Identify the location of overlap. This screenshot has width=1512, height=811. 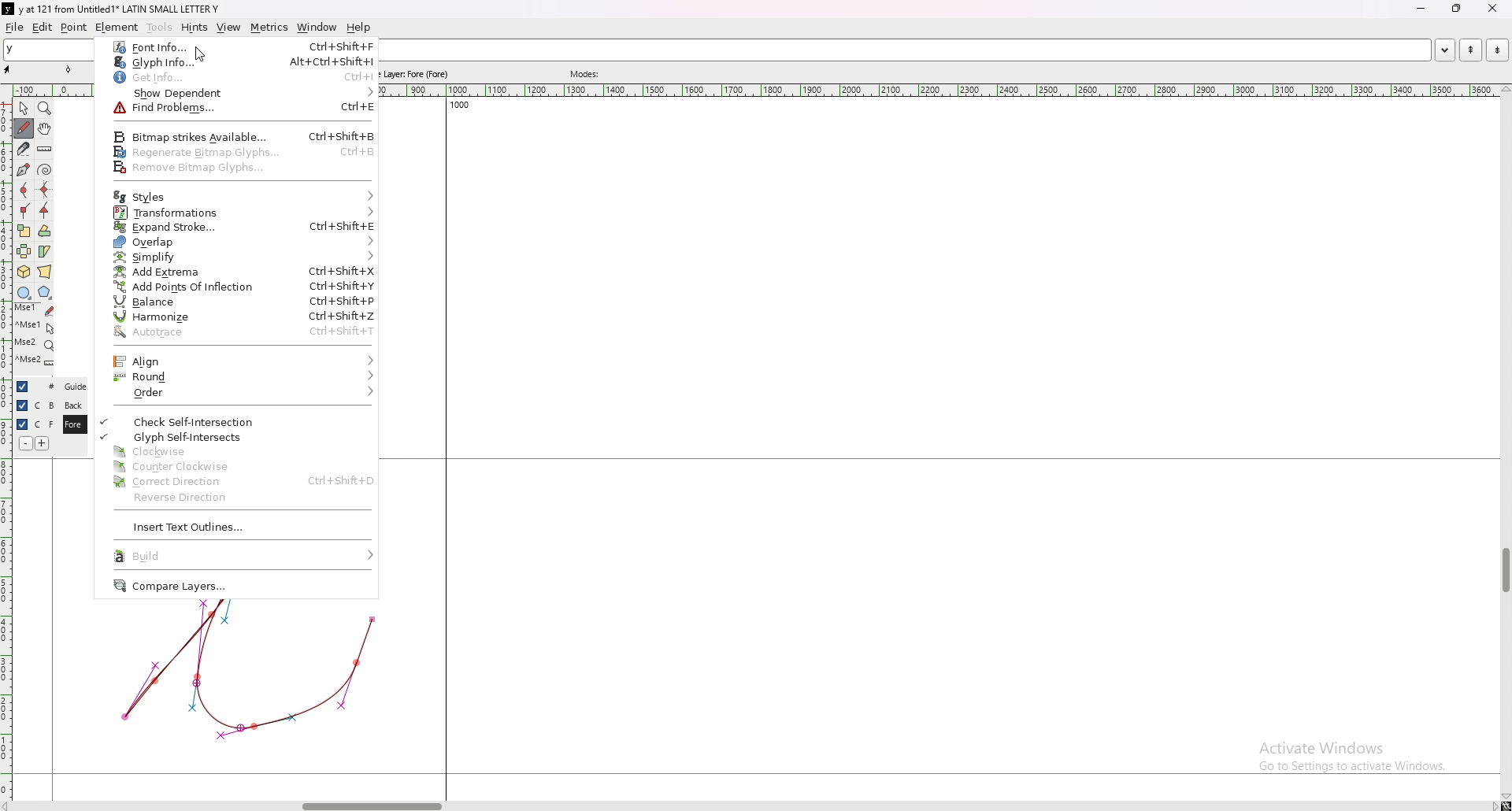
(235, 241).